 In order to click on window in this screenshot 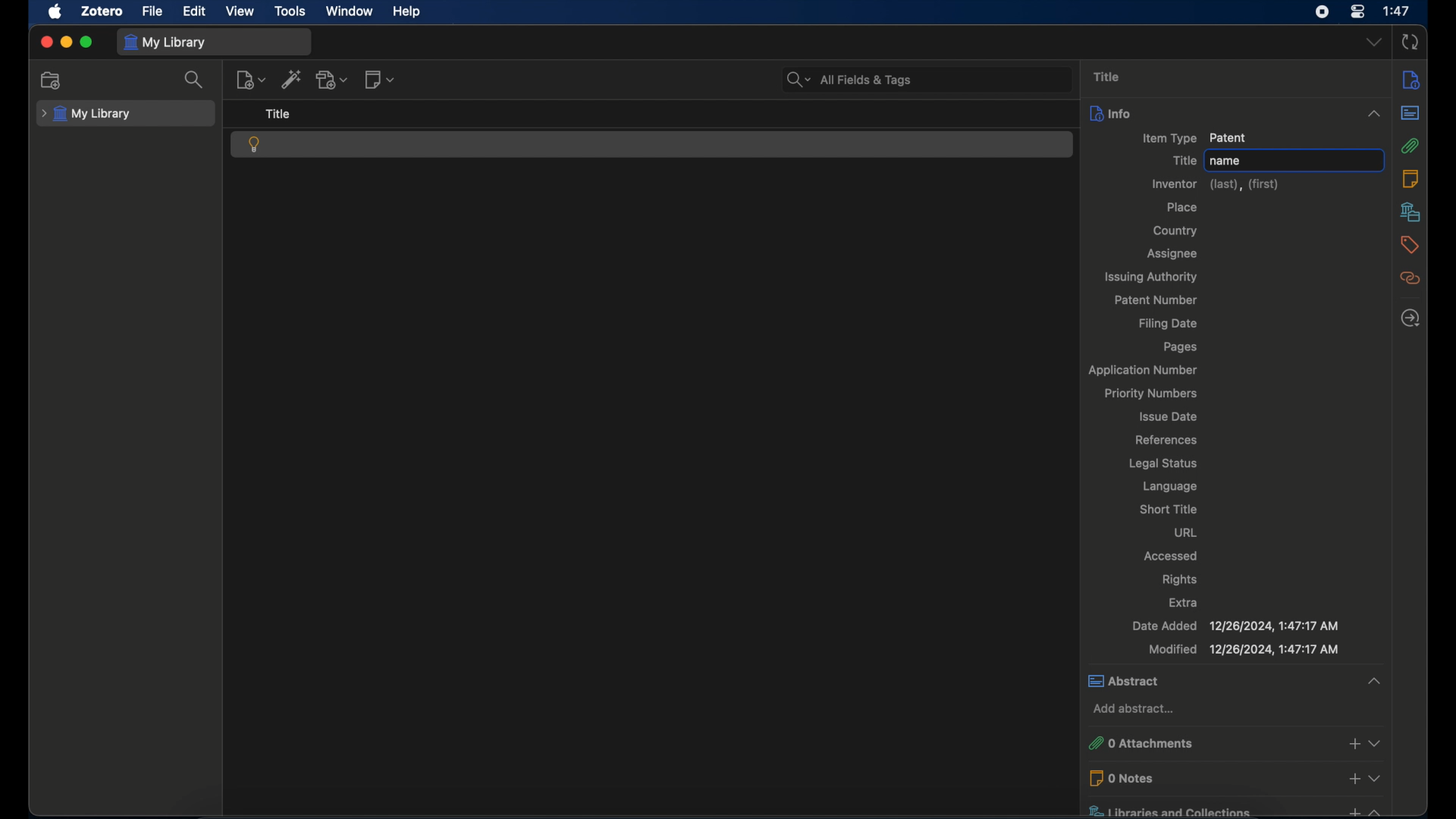, I will do `click(350, 11)`.